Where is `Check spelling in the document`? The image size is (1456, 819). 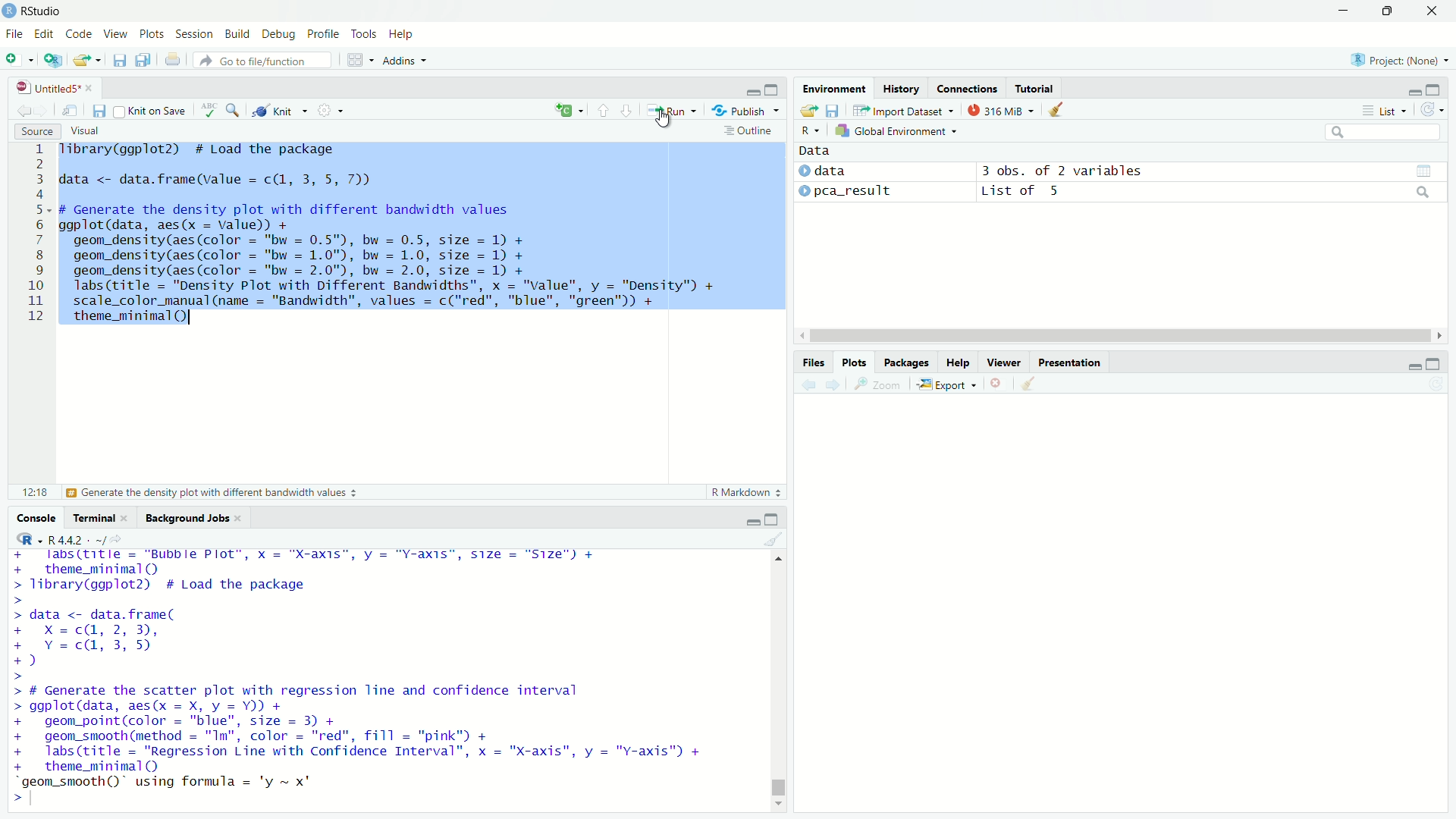 Check spelling in the document is located at coordinates (209, 109).